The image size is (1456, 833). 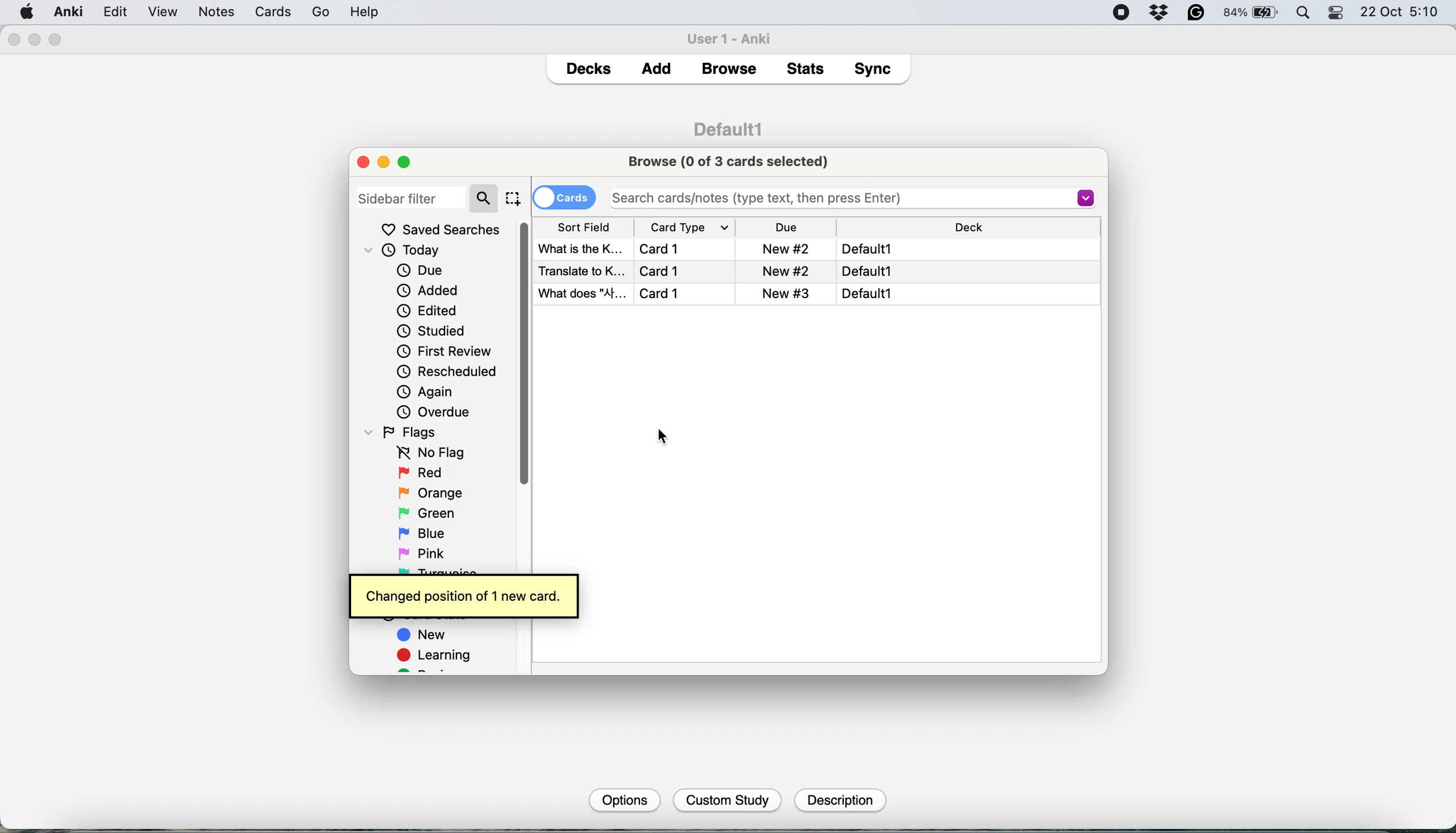 I want to click on sync, so click(x=876, y=71).